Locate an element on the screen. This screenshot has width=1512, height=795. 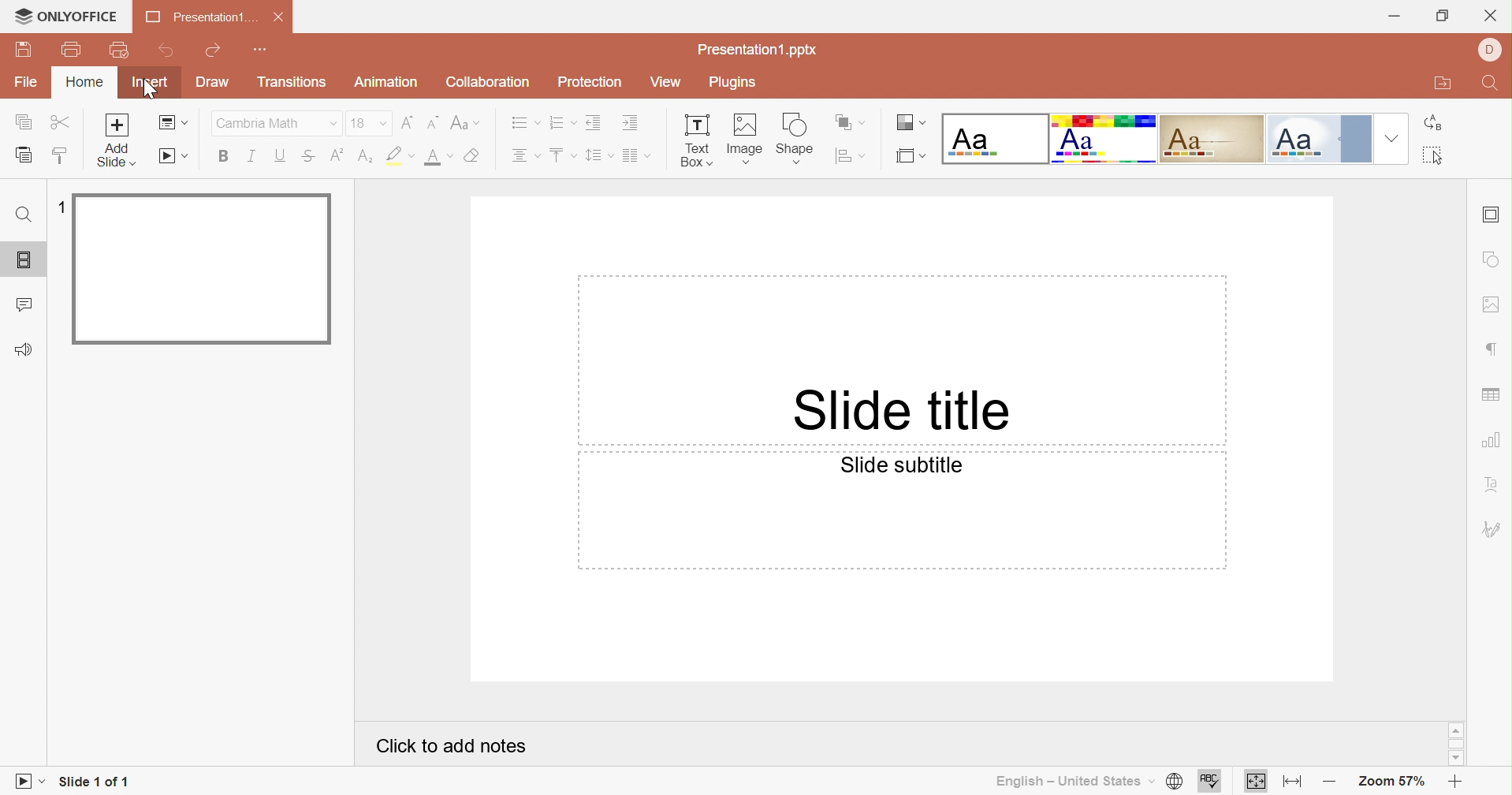
Basic is located at coordinates (1106, 137).